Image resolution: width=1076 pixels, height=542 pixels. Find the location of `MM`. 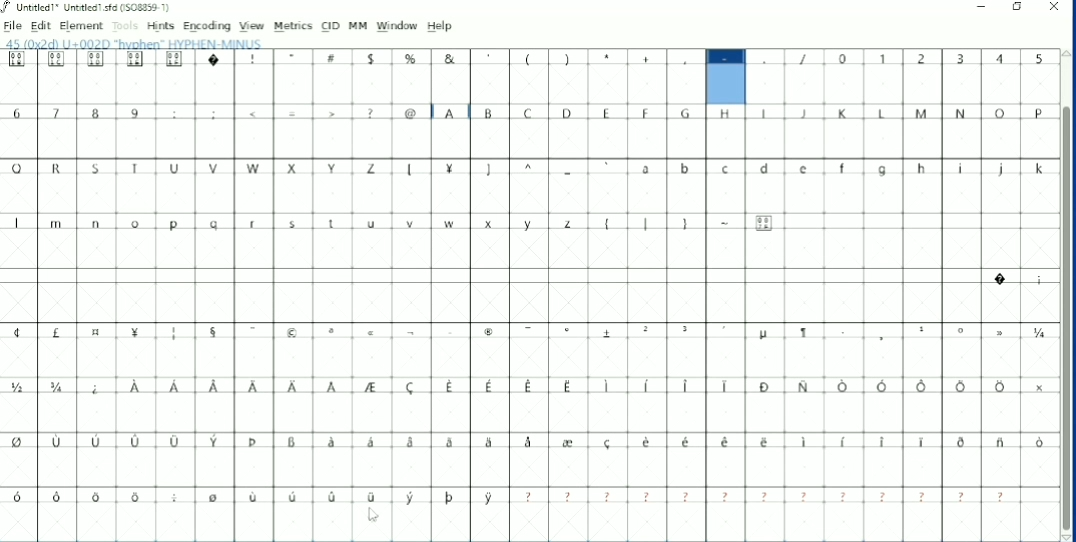

MM is located at coordinates (358, 26).